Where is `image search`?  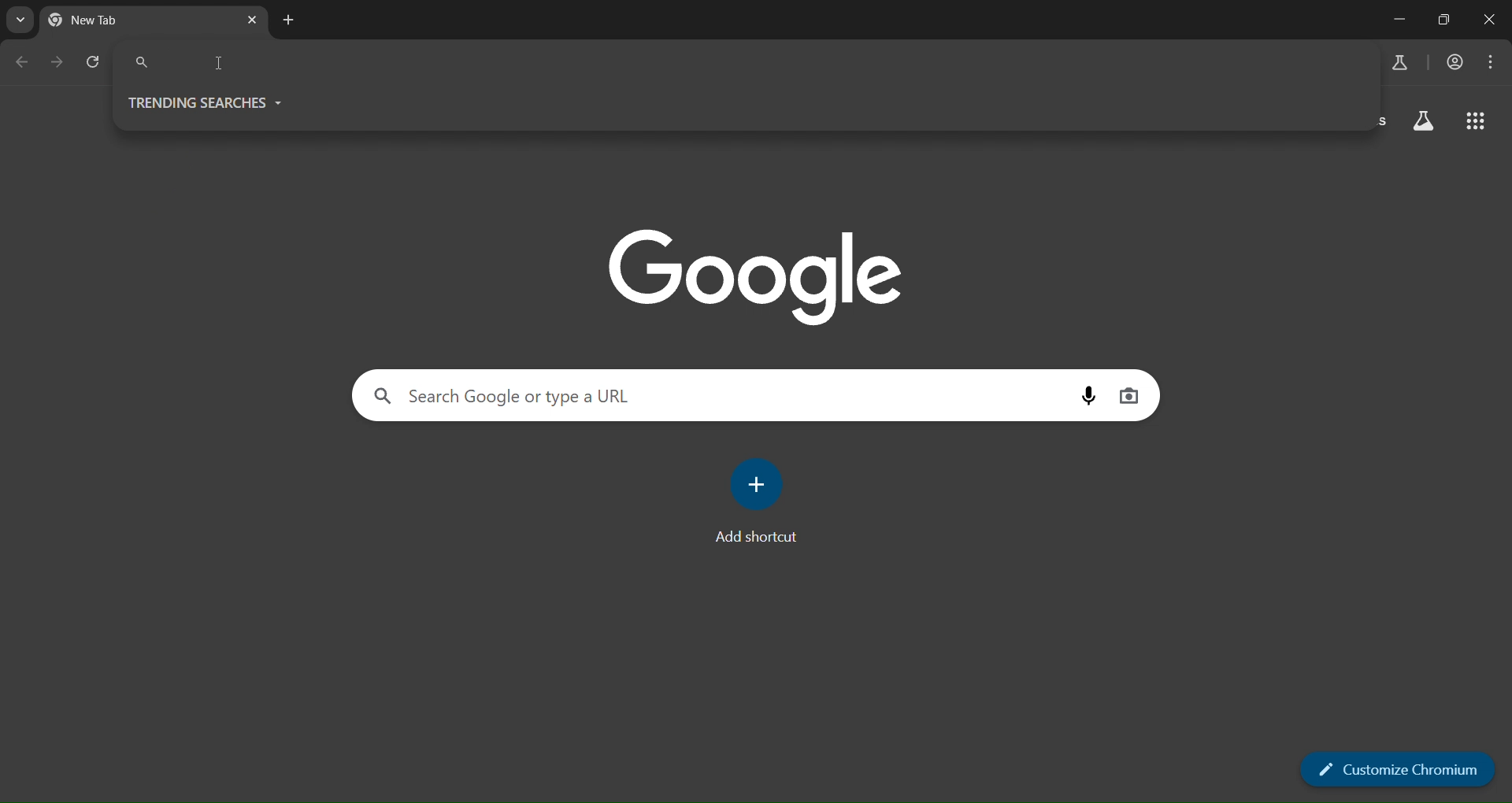
image search is located at coordinates (1090, 398).